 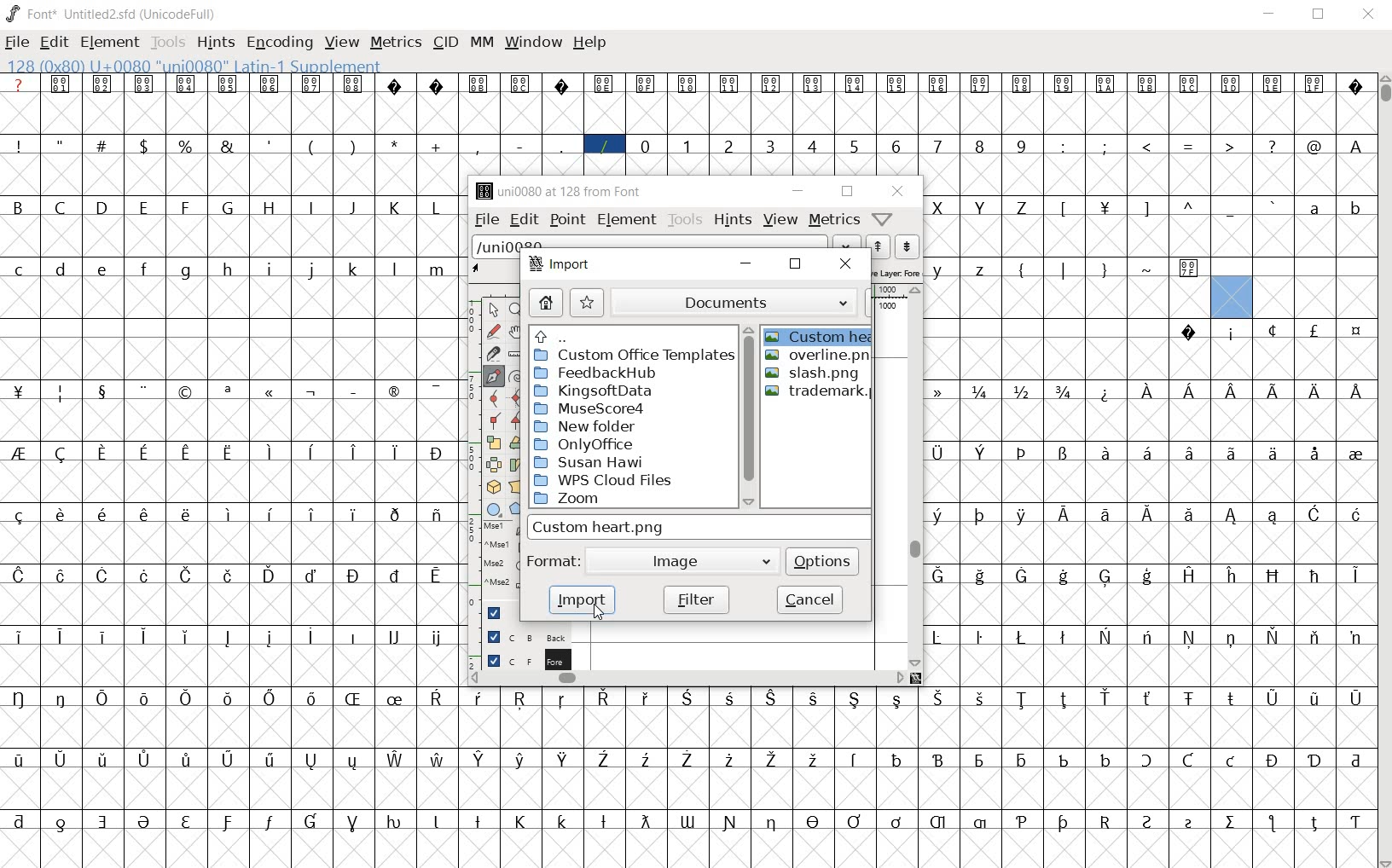 What do you see at coordinates (686, 697) in the screenshot?
I see `glyph` at bounding box center [686, 697].